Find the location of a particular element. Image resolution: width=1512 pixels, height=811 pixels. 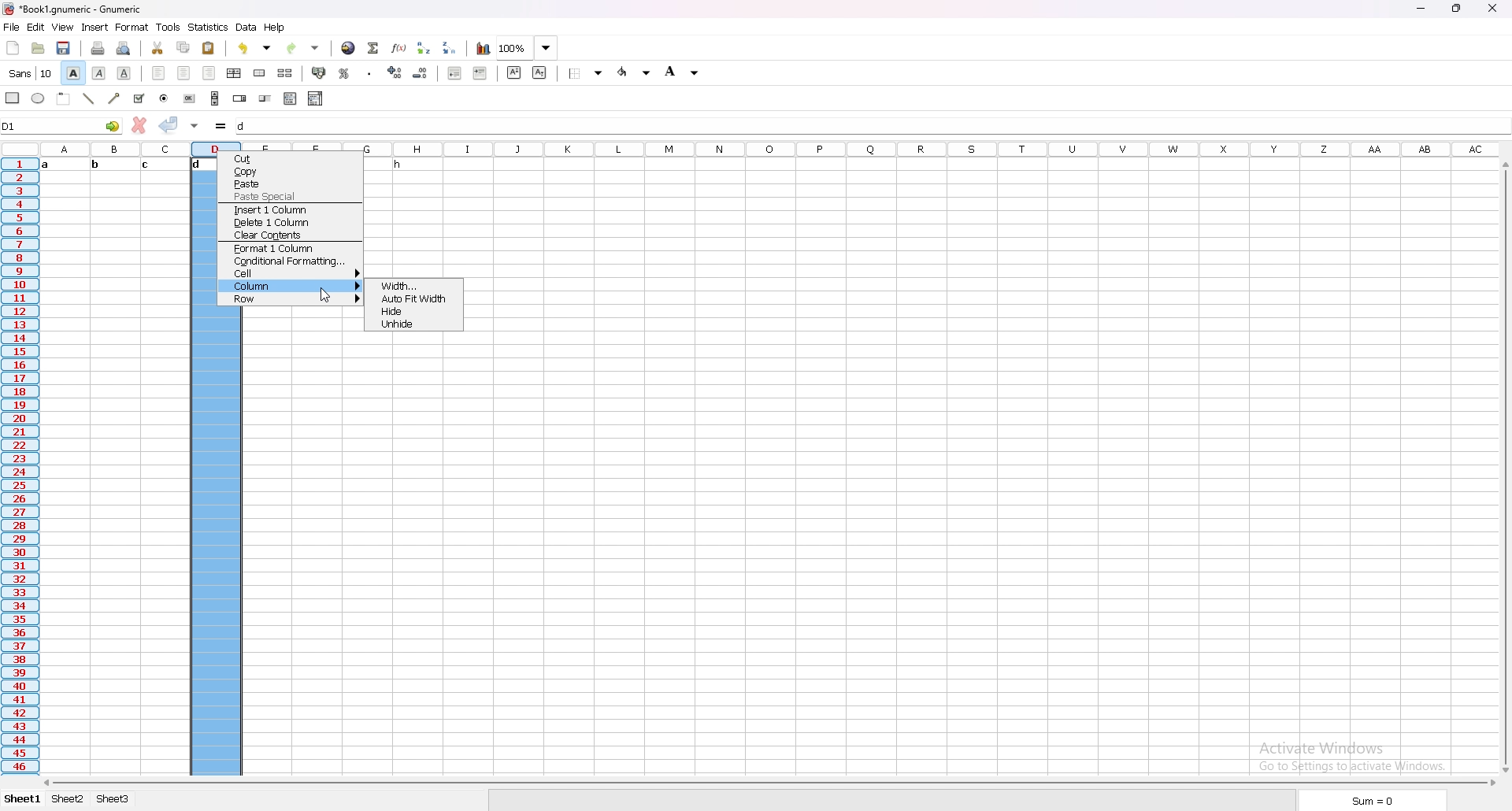

arrowed line is located at coordinates (114, 99).